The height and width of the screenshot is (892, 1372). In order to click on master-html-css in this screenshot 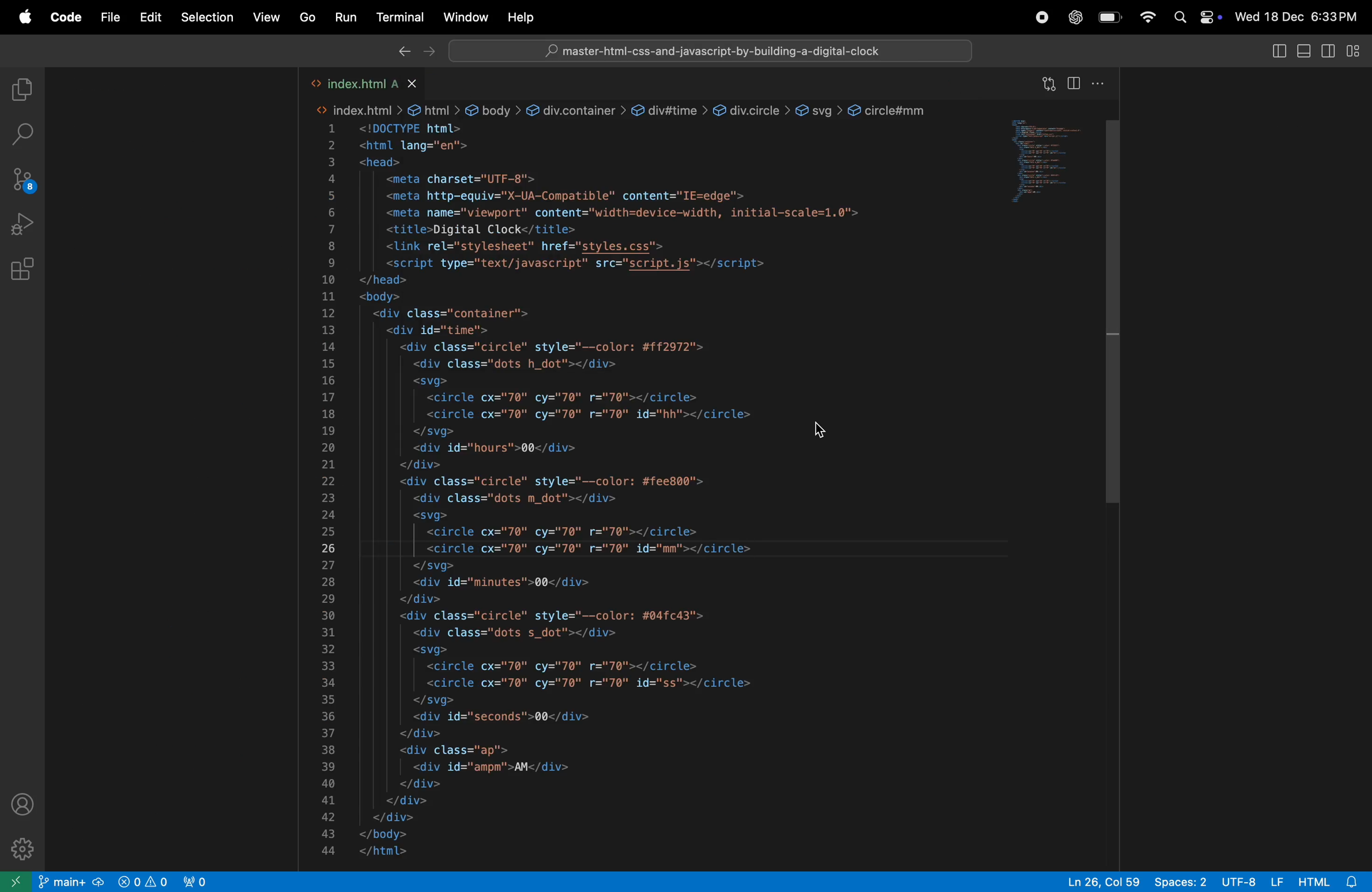, I will do `click(709, 51)`.